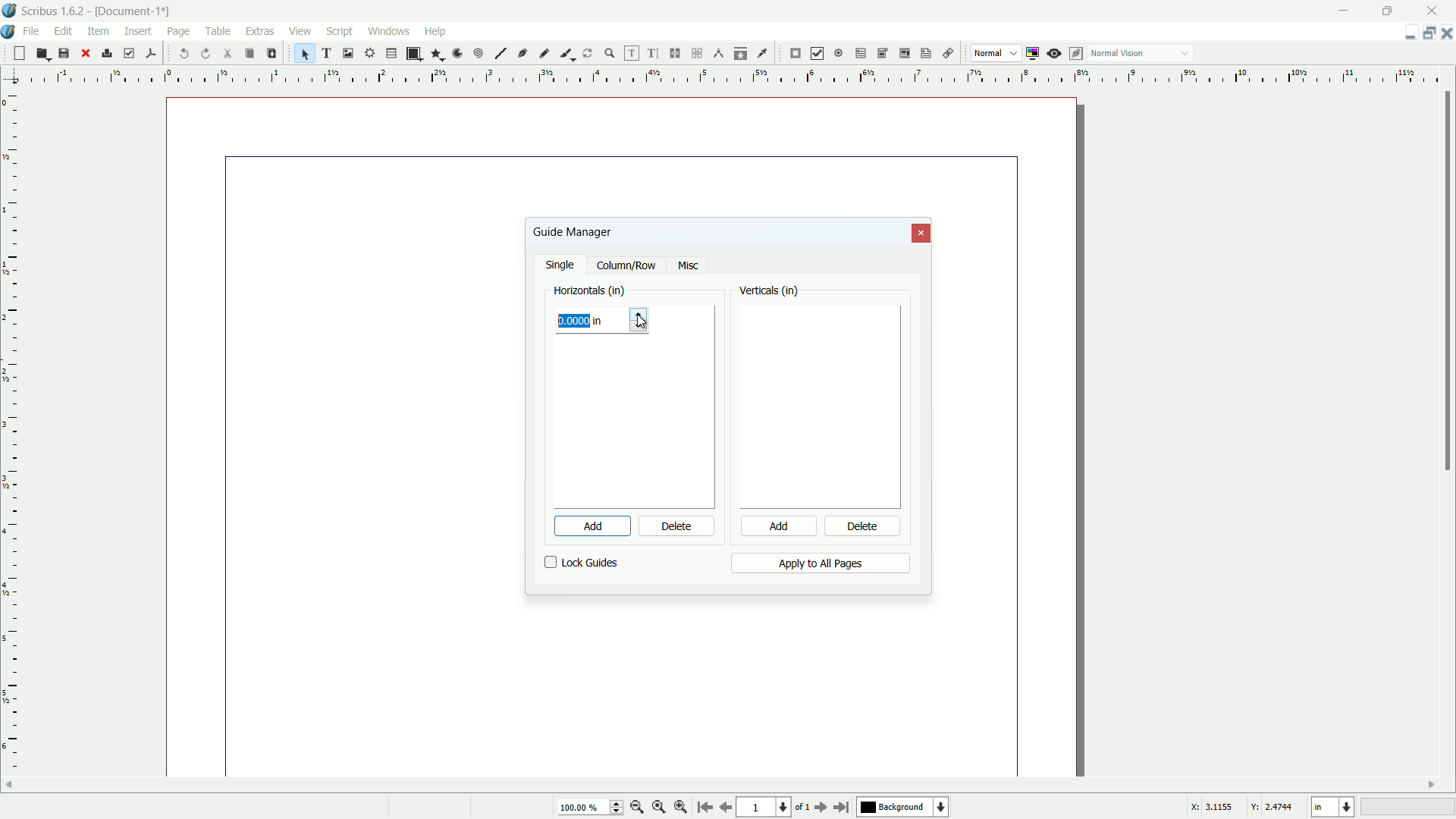  Describe the element at coordinates (818, 808) in the screenshot. I see `go to next page` at that location.